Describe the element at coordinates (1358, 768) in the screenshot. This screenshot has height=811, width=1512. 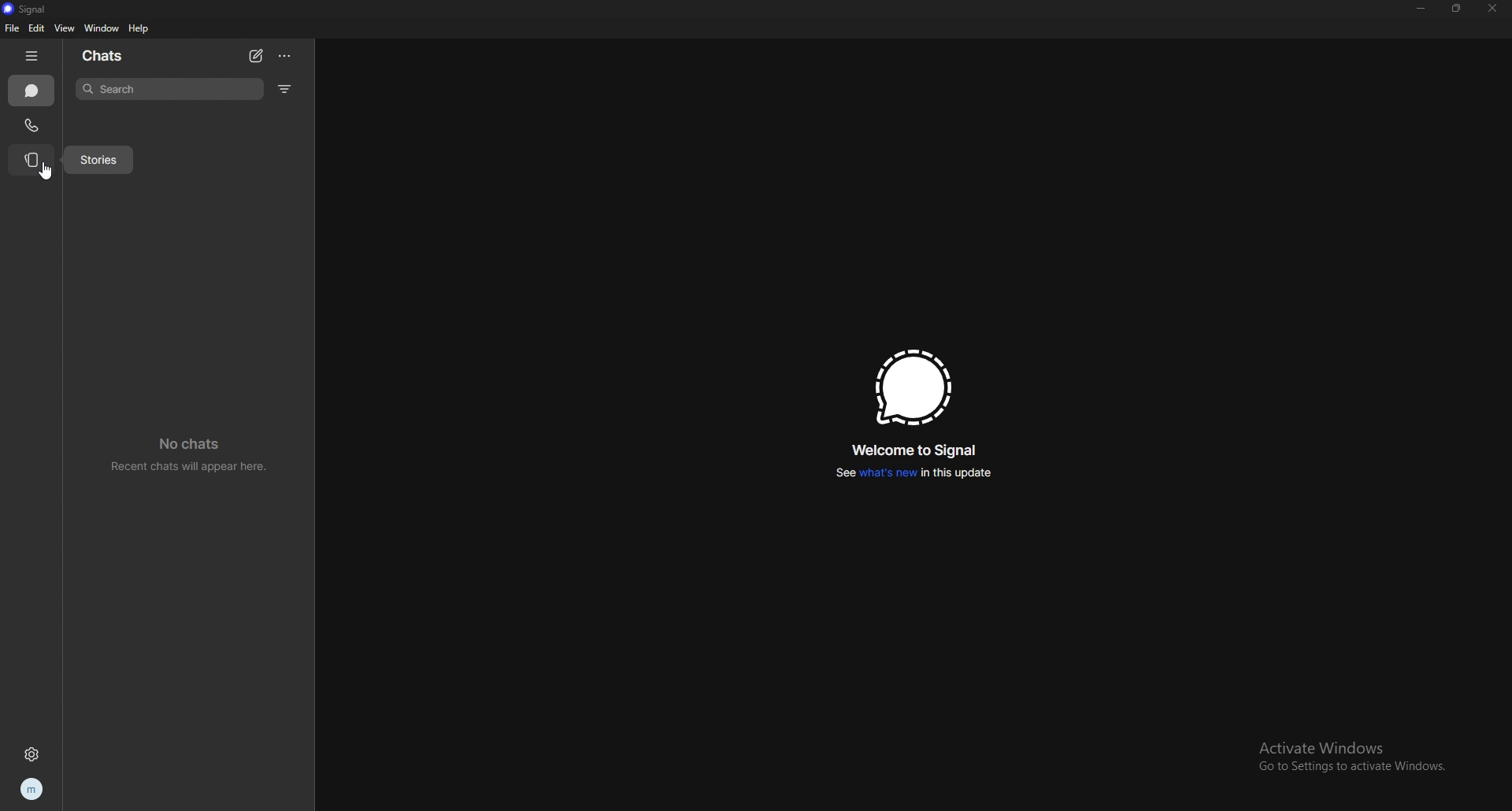
I see `Go to Settings to activate Windows.` at that location.